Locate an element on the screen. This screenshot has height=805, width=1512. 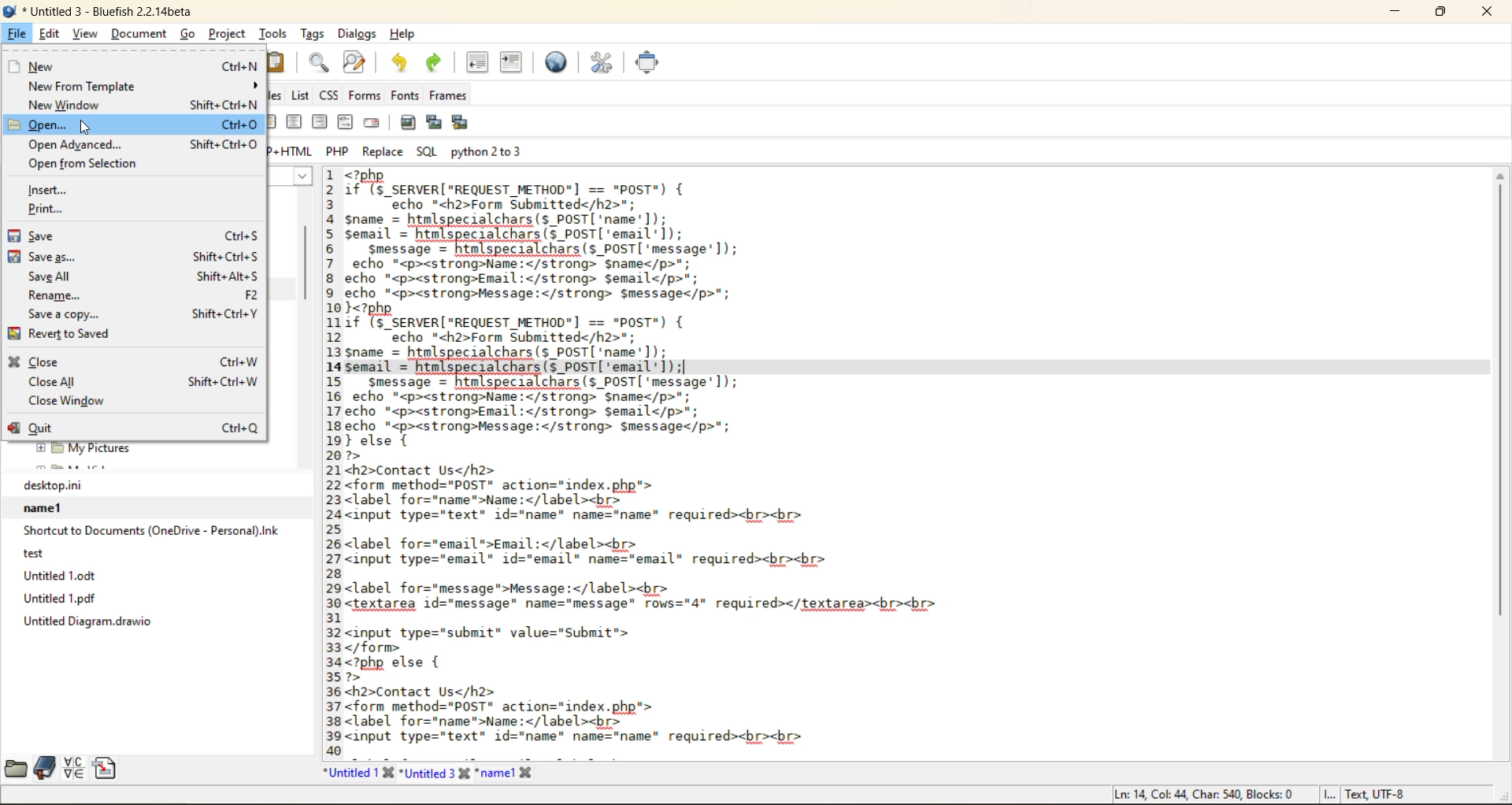
untitled 1 tab is located at coordinates (358, 772).